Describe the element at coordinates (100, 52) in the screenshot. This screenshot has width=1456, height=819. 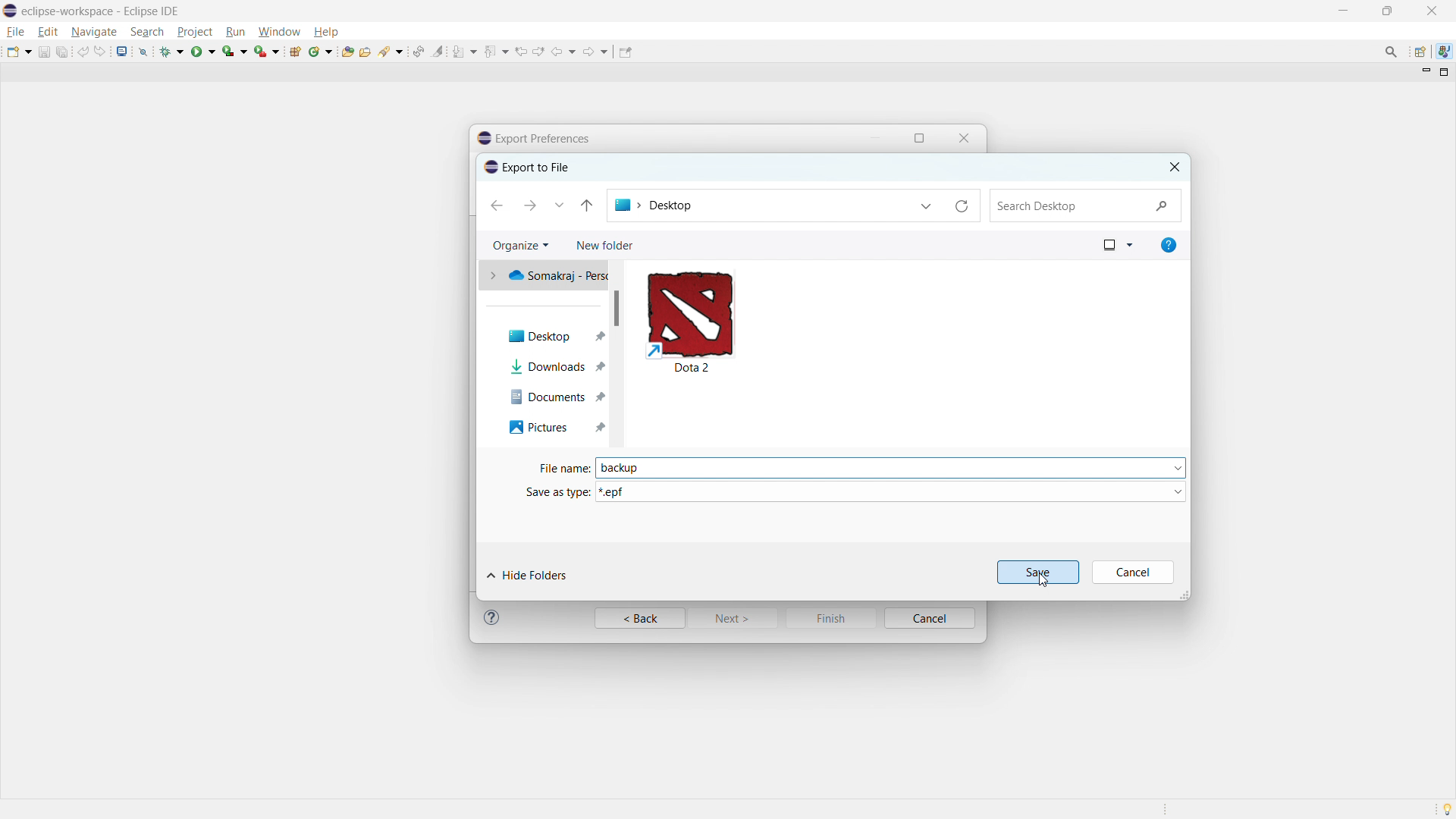
I see `redo` at that location.